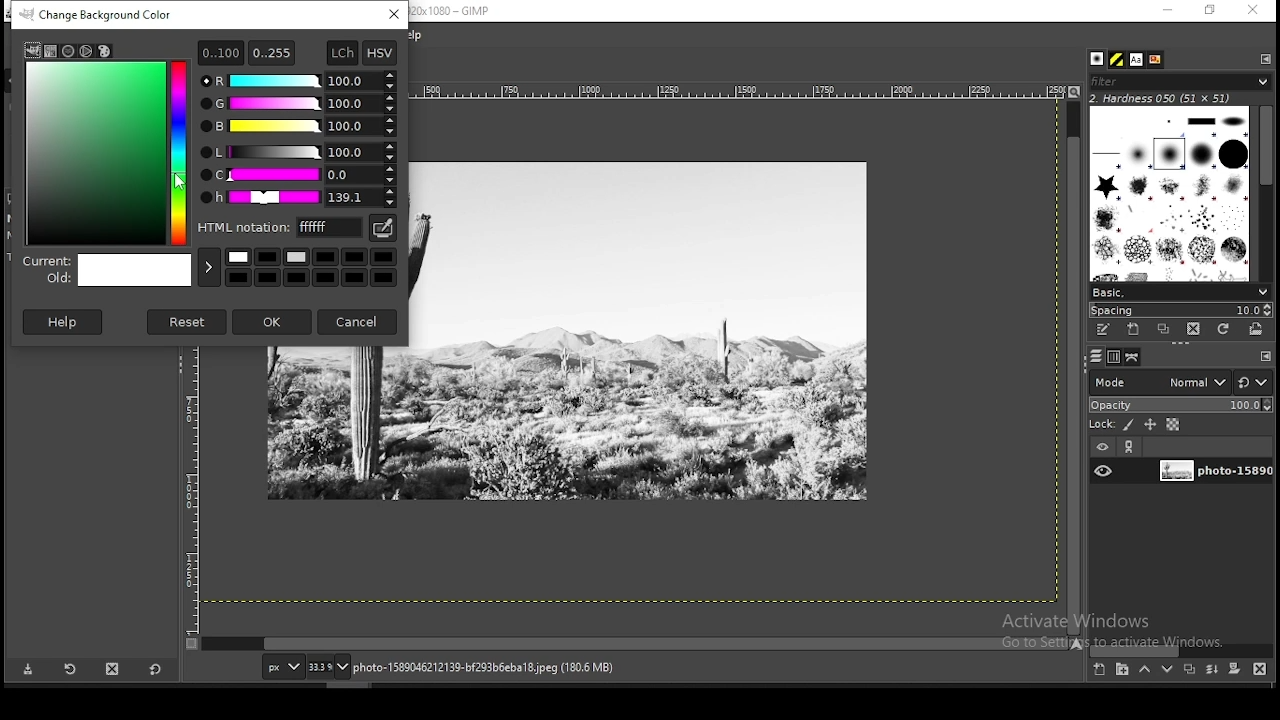 The image size is (1280, 720). What do you see at coordinates (1074, 366) in the screenshot?
I see `scroll bar` at bounding box center [1074, 366].